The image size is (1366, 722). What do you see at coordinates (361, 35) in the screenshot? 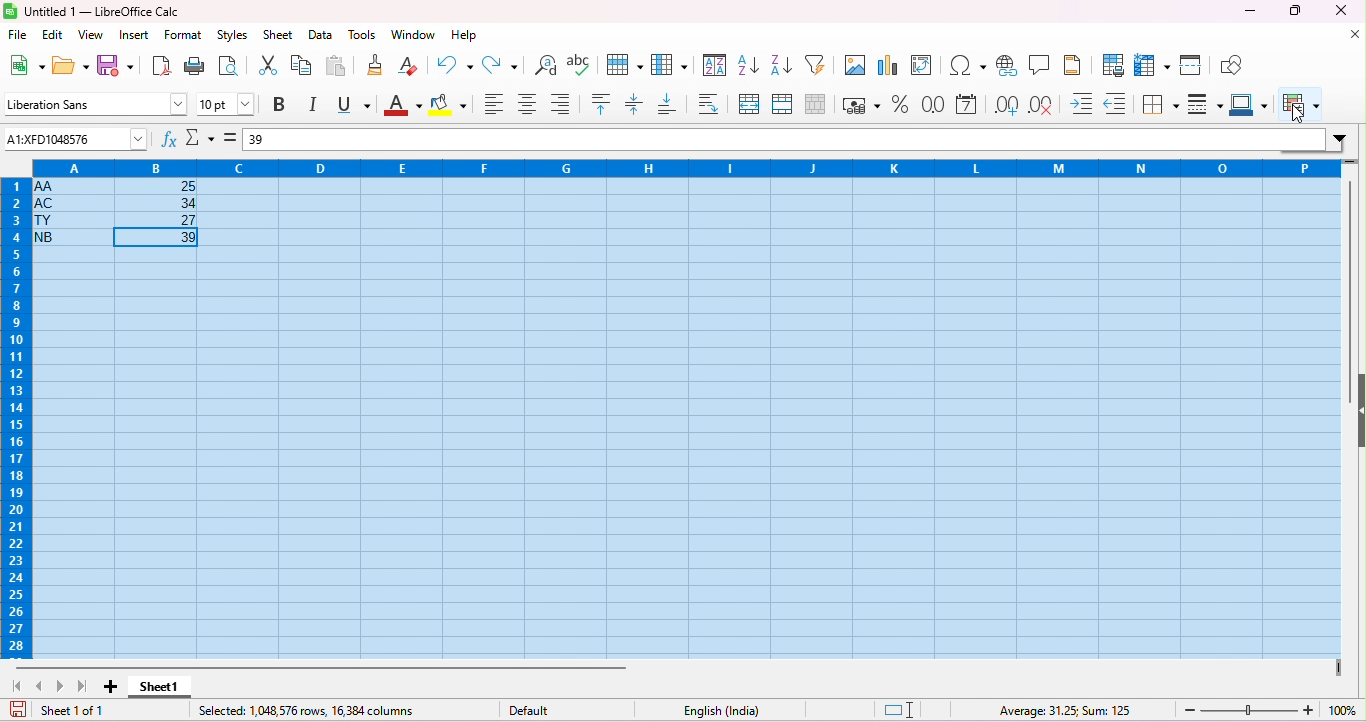
I see `tools` at bounding box center [361, 35].